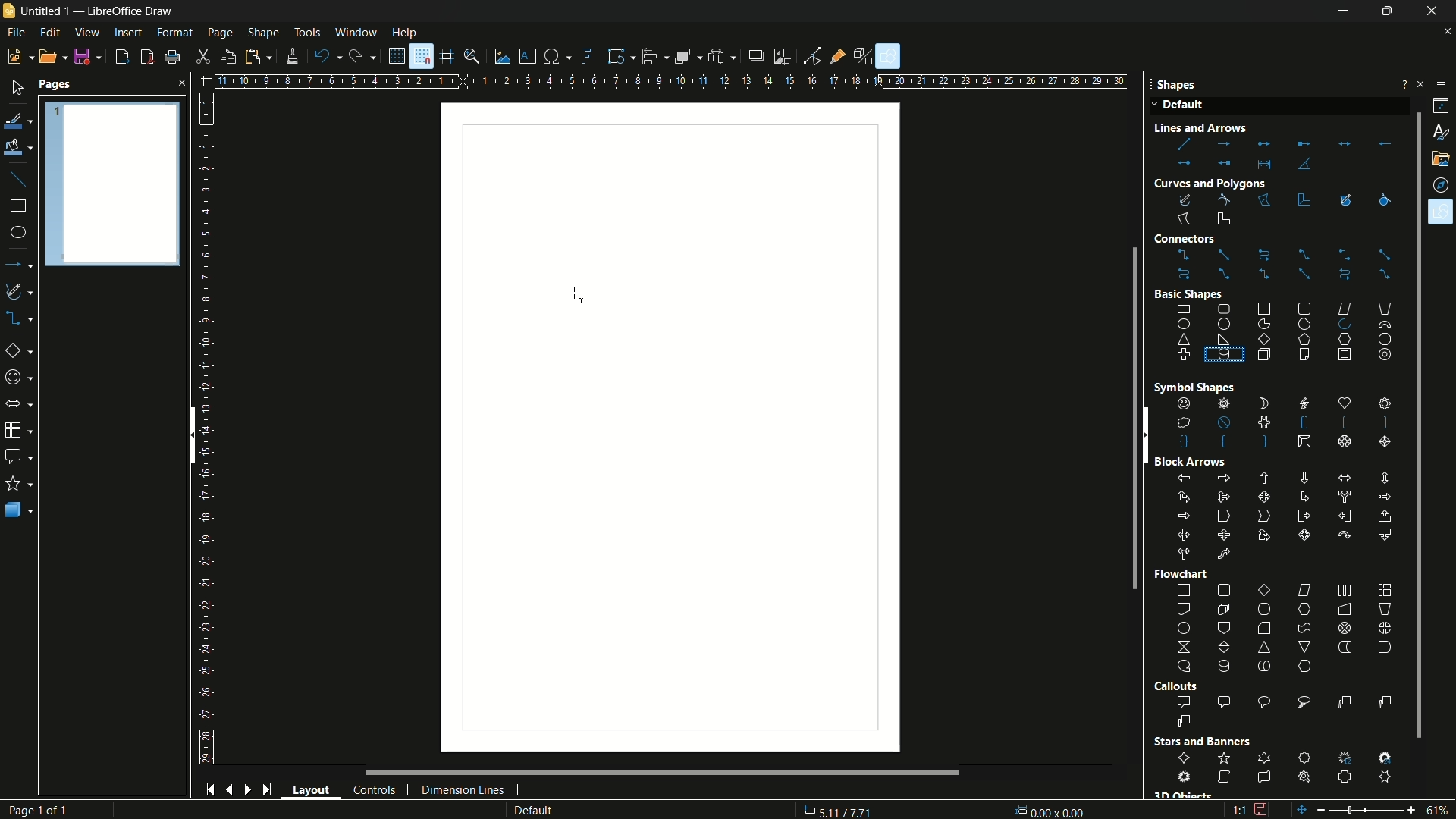  I want to click on file menu, so click(14, 33).